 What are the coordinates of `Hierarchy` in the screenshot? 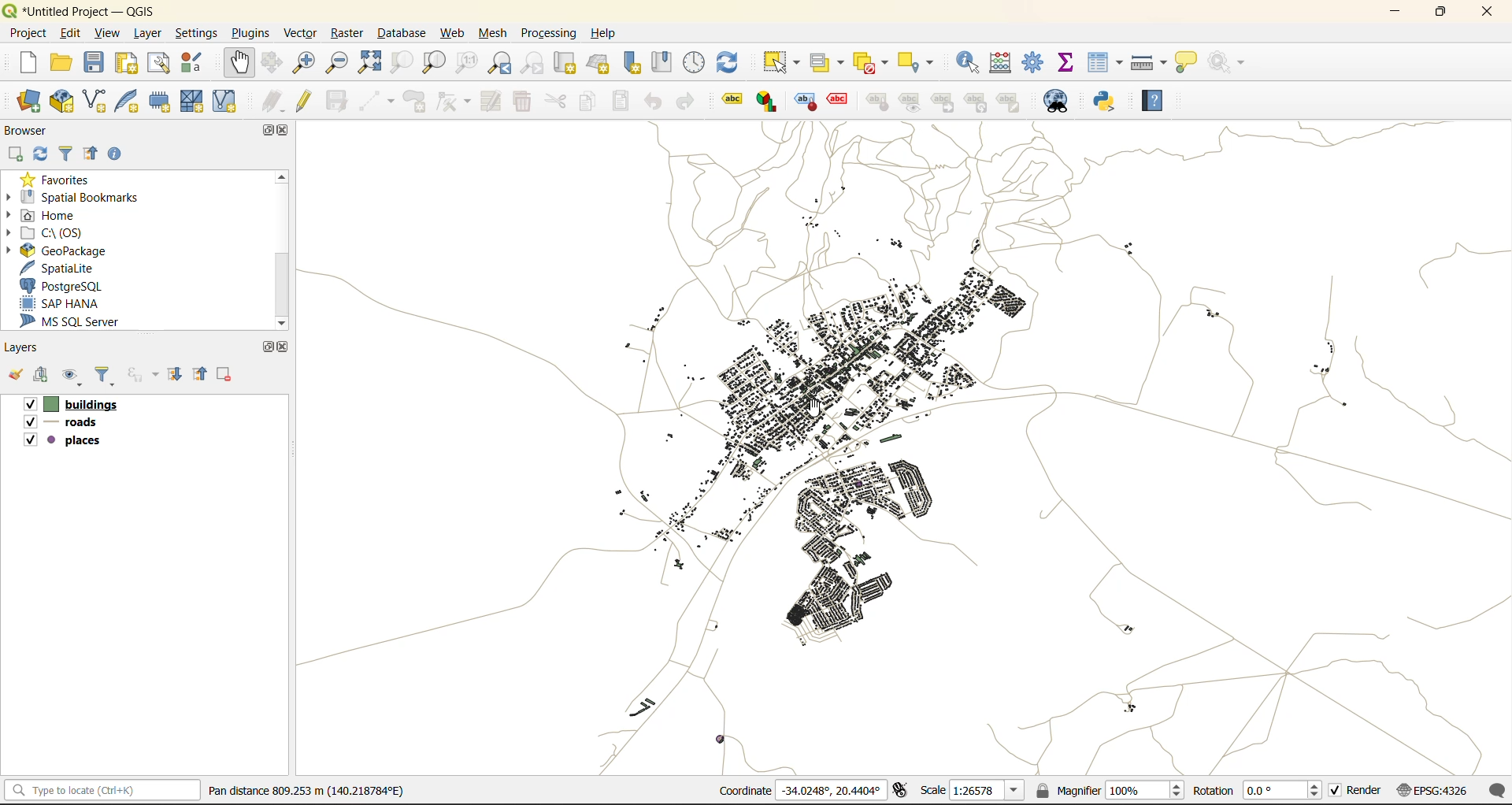 It's located at (979, 102).